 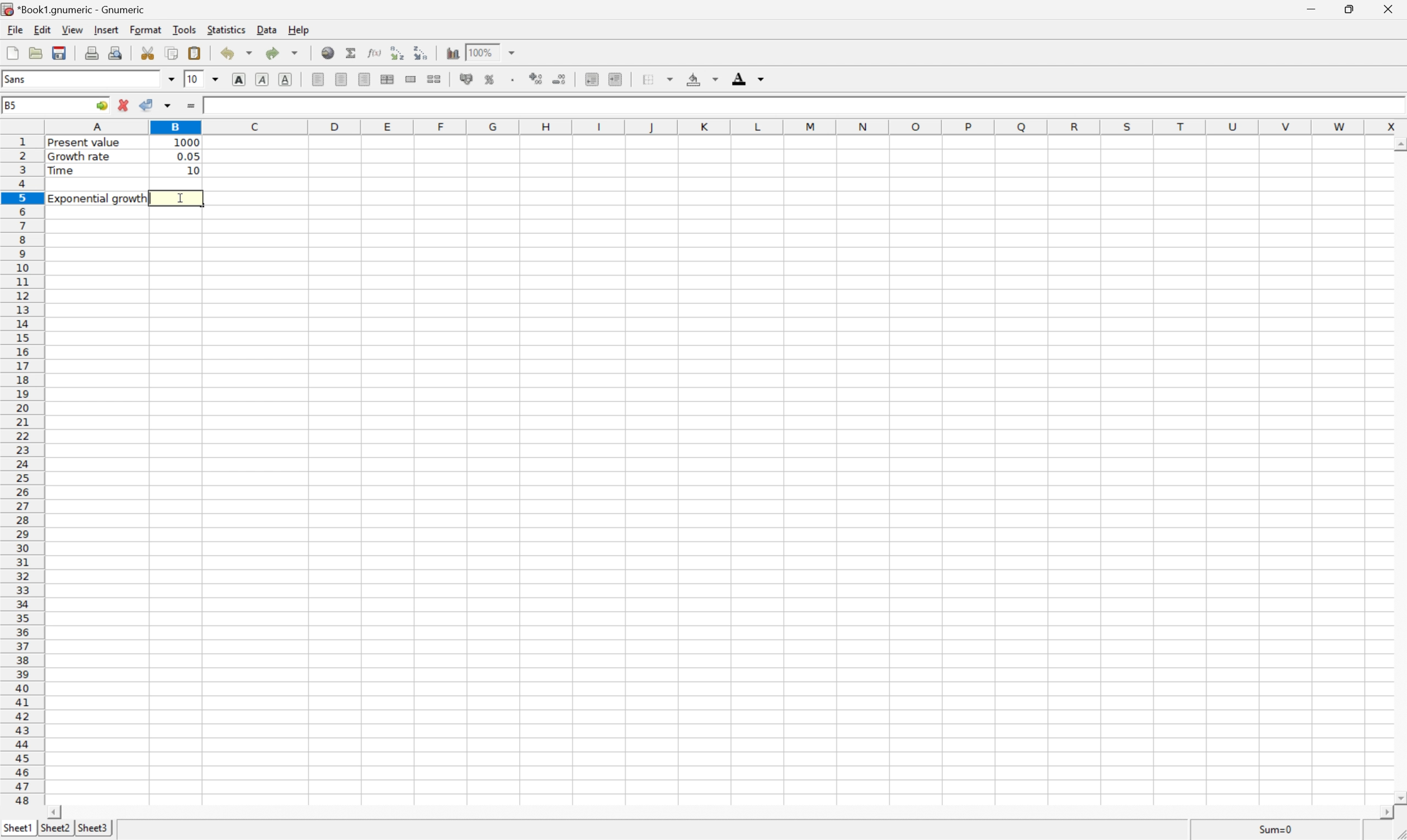 What do you see at coordinates (86, 144) in the screenshot?
I see `Present value` at bounding box center [86, 144].